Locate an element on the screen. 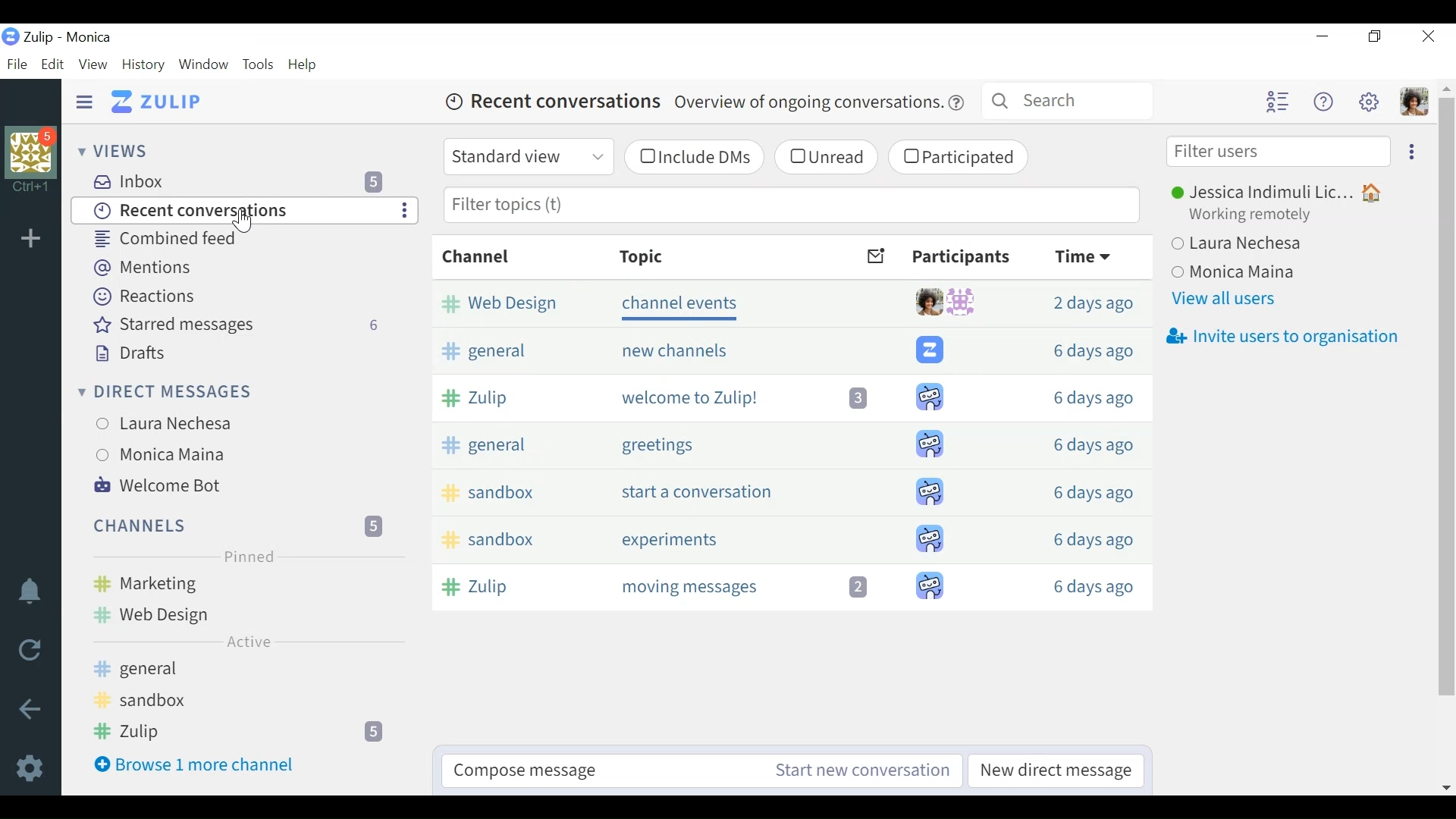 This screenshot has width=1456, height=819. notification is located at coordinates (30, 592).